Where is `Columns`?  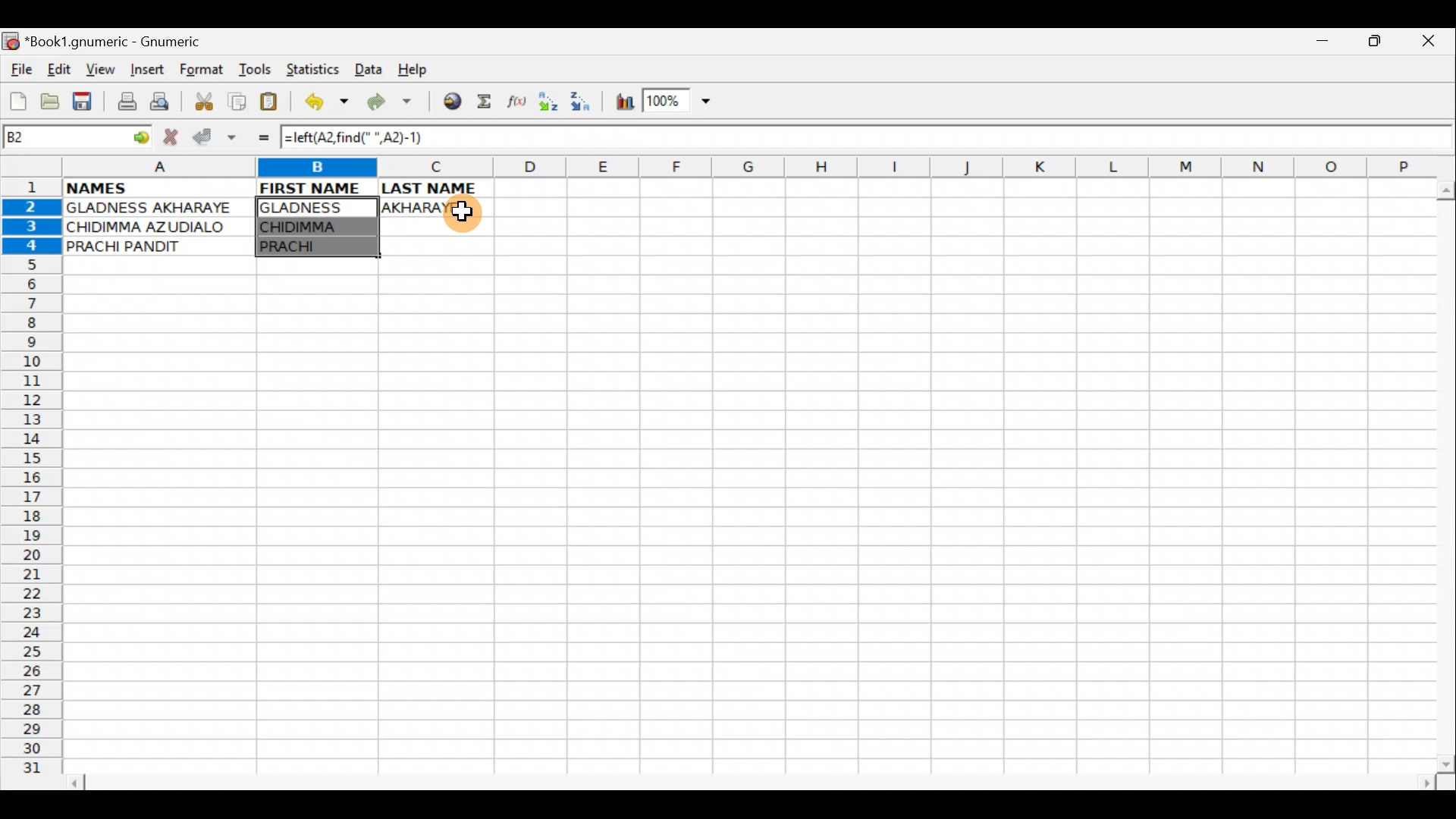
Columns is located at coordinates (741, 168).